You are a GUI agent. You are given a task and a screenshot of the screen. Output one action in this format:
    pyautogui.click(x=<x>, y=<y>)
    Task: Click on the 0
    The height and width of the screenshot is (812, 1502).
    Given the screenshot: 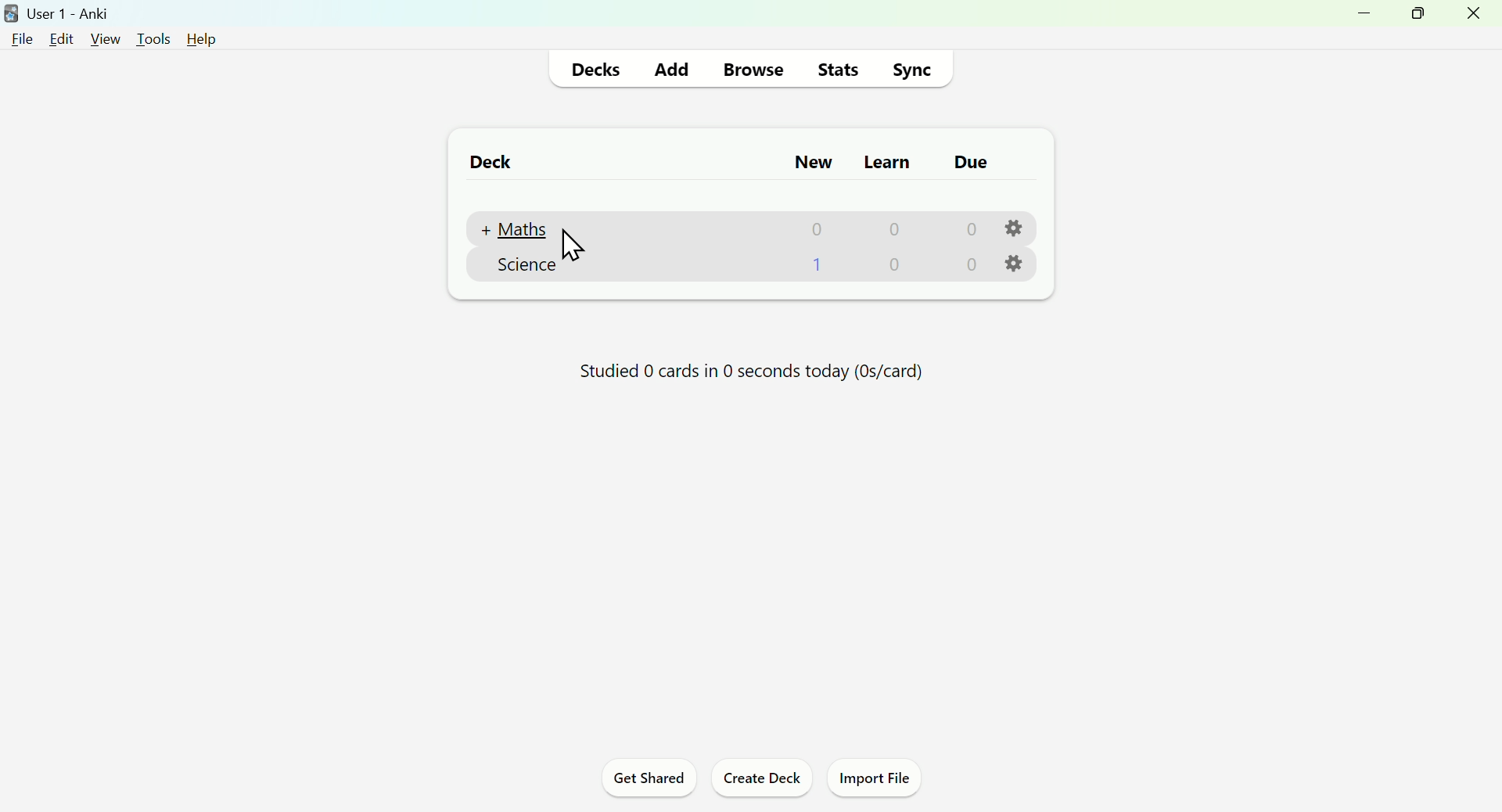 What is the action you would take?
    pyautogui.click(x=815, y=267)
    